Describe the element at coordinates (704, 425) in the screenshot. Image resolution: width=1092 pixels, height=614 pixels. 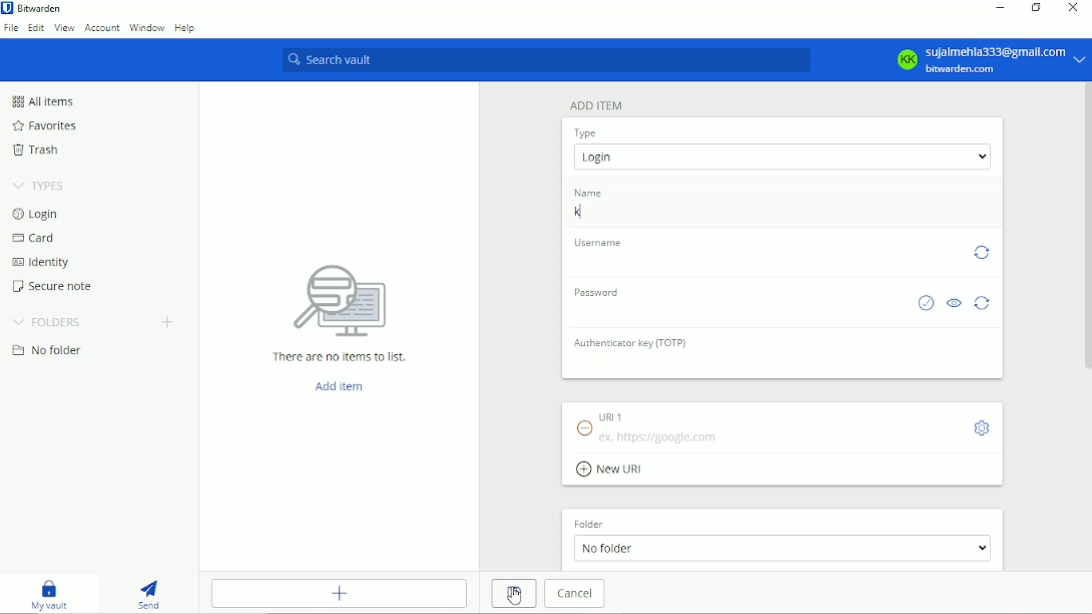
I see `URI 1  ex. https://google.com` at that location.